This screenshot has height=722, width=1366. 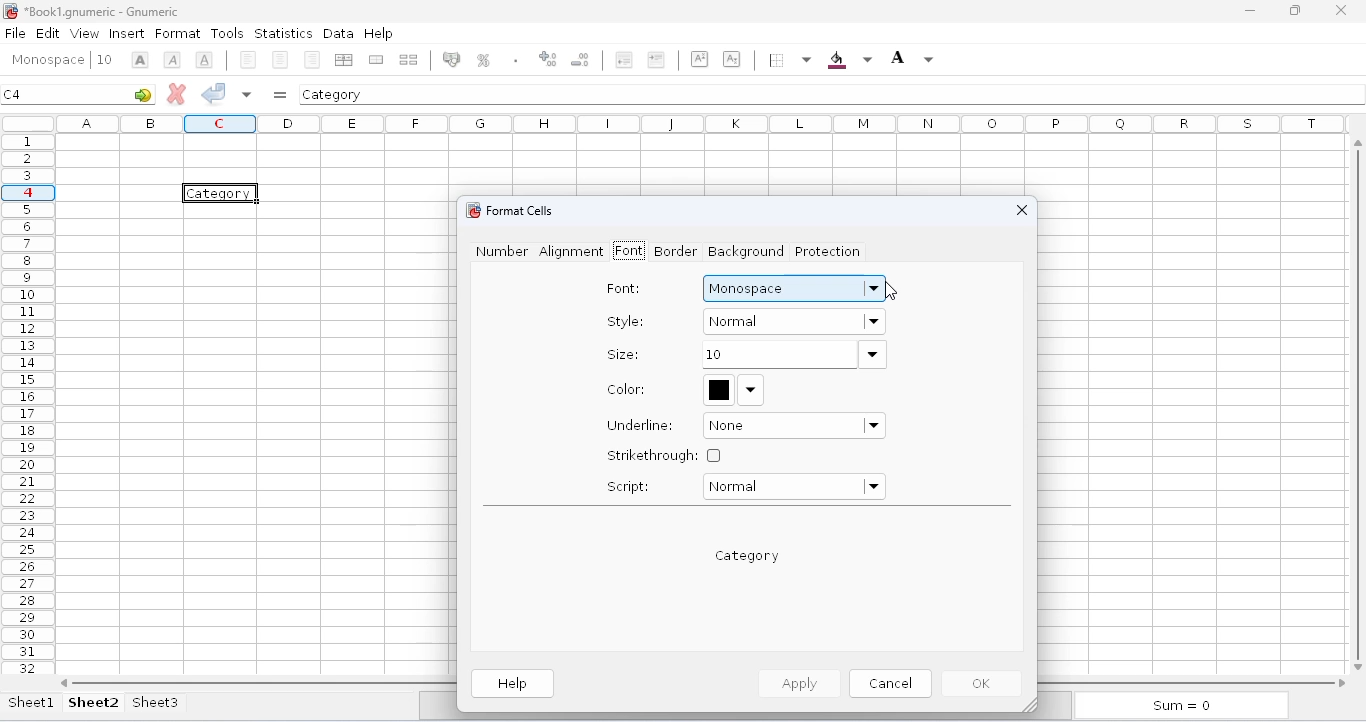 What do you see at coordinates (622, 354) in the screenshot?
I see `size:` at bounding box center [622, 354].